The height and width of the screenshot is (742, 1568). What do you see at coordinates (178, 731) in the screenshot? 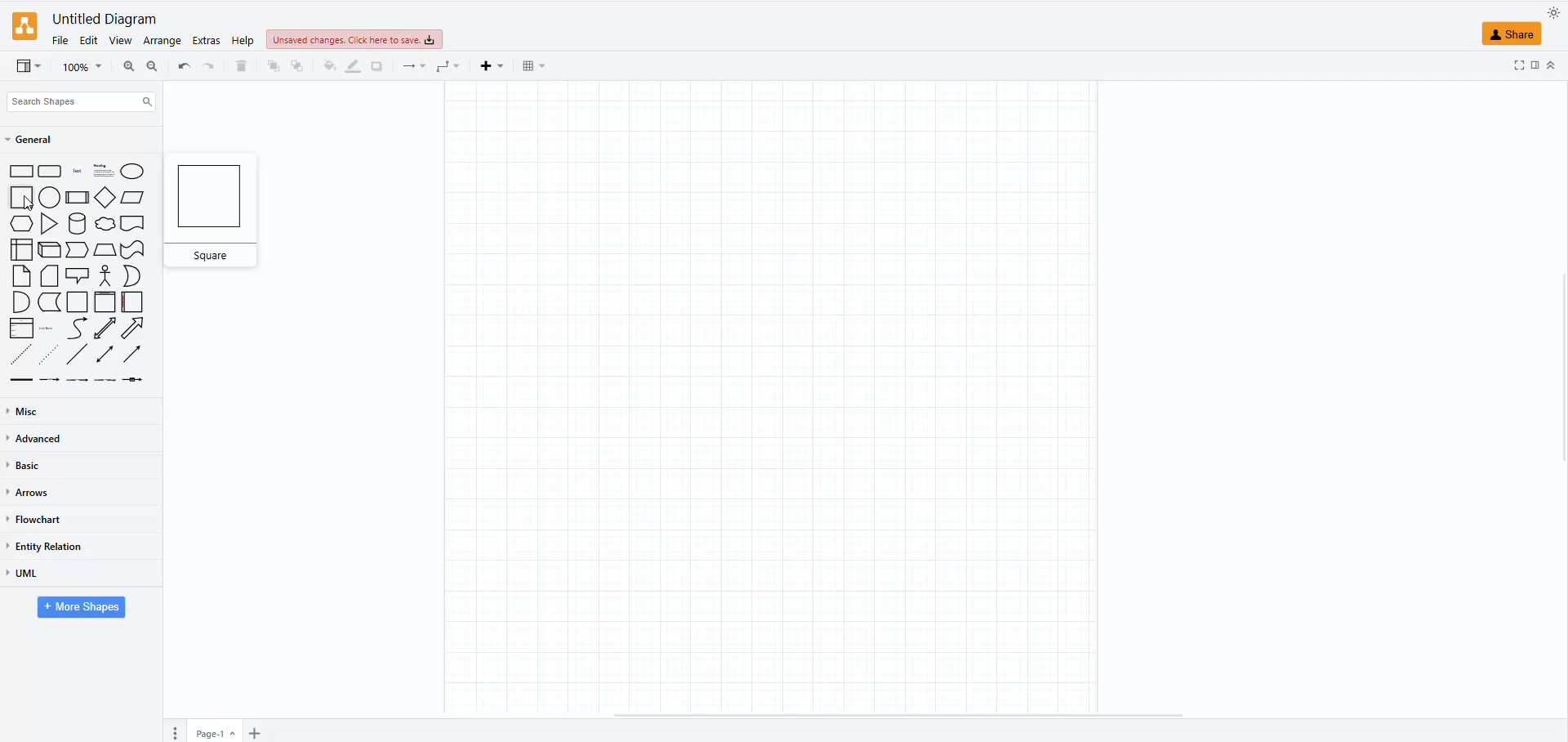
I see `pages` at bounding box center [178, 731].